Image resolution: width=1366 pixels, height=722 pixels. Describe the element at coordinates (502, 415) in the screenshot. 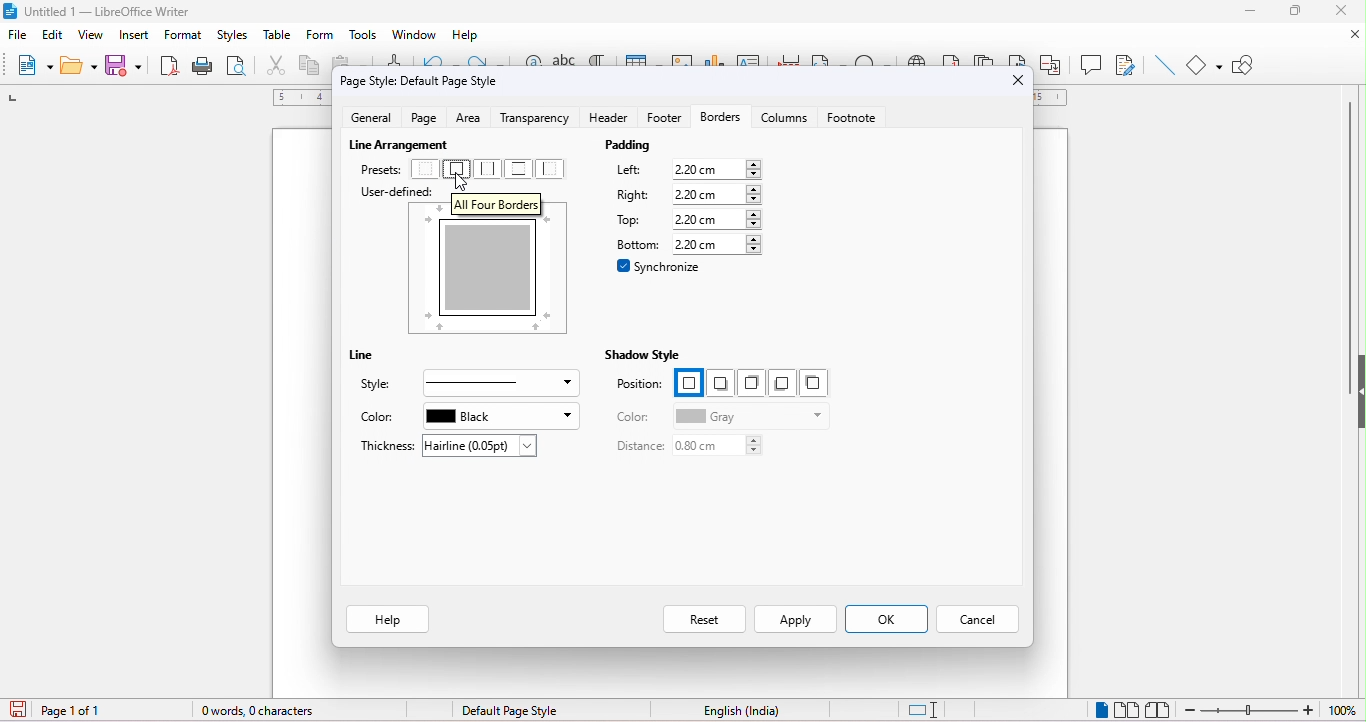

I see `black` at that location.